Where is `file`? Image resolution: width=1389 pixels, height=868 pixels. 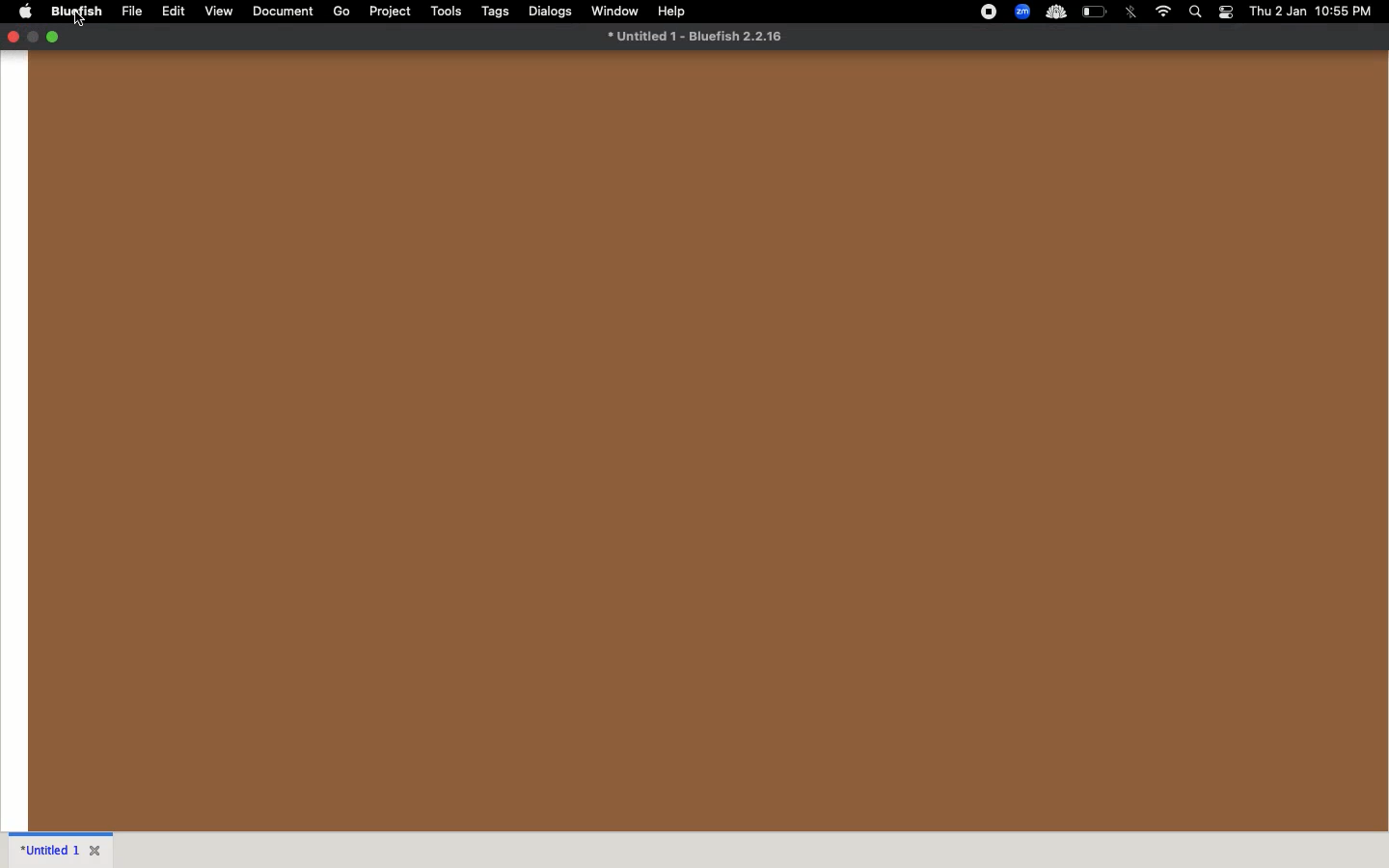
file is located at coordinates (133, 12).